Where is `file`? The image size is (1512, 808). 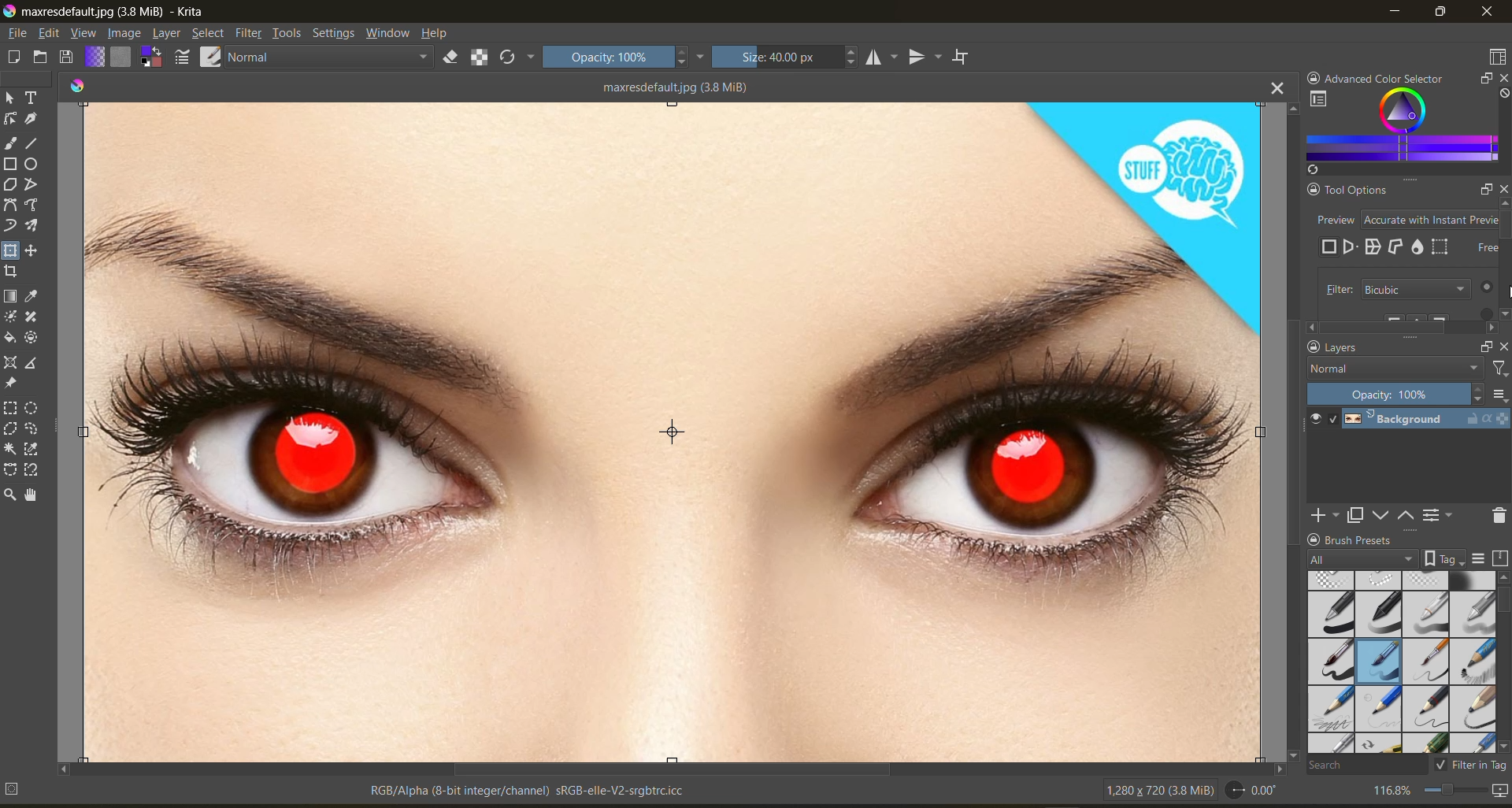
file is located at coordinates (20, 33).